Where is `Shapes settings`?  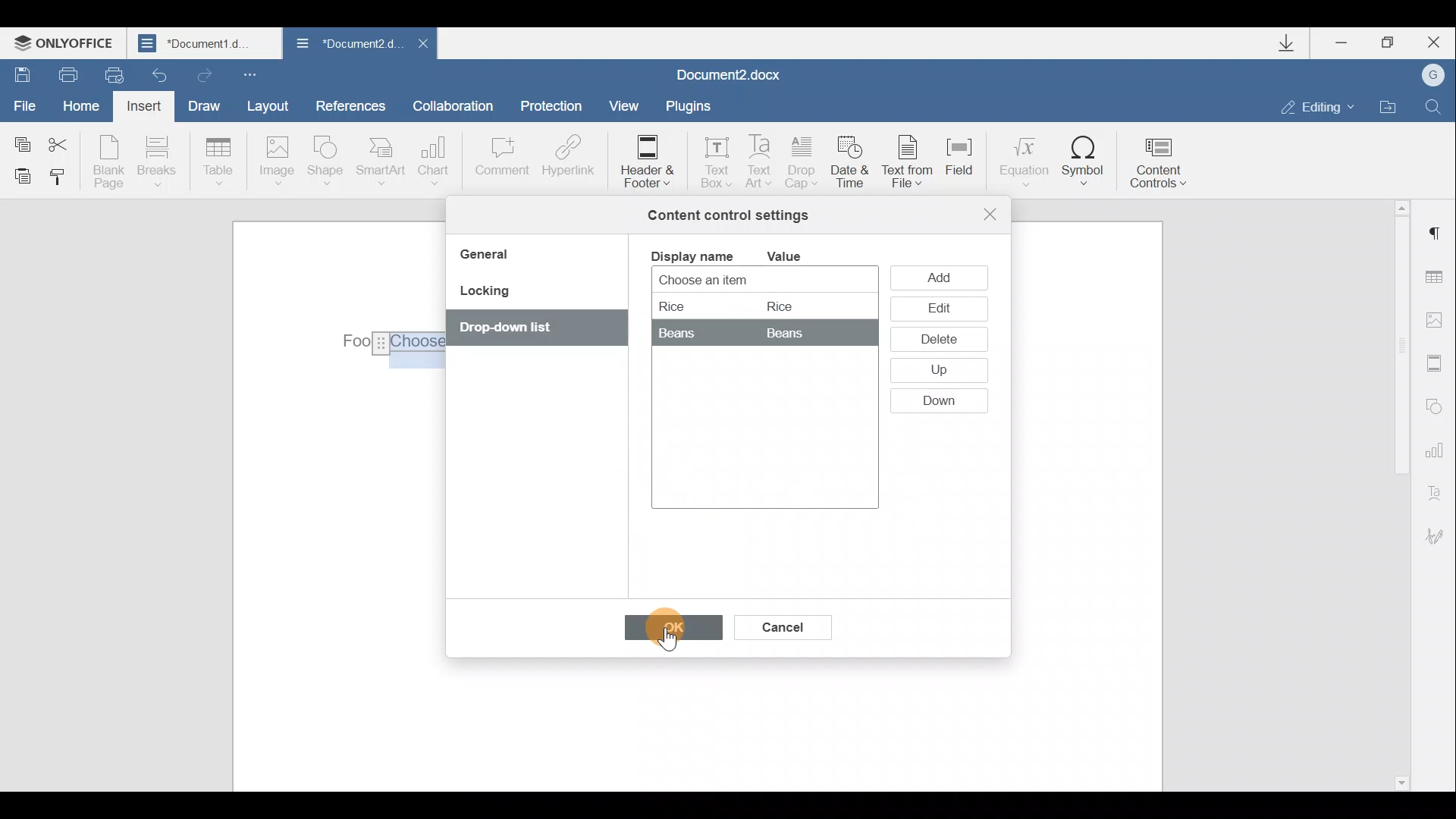
Shapes settings is located at coordinates (1435, 404).